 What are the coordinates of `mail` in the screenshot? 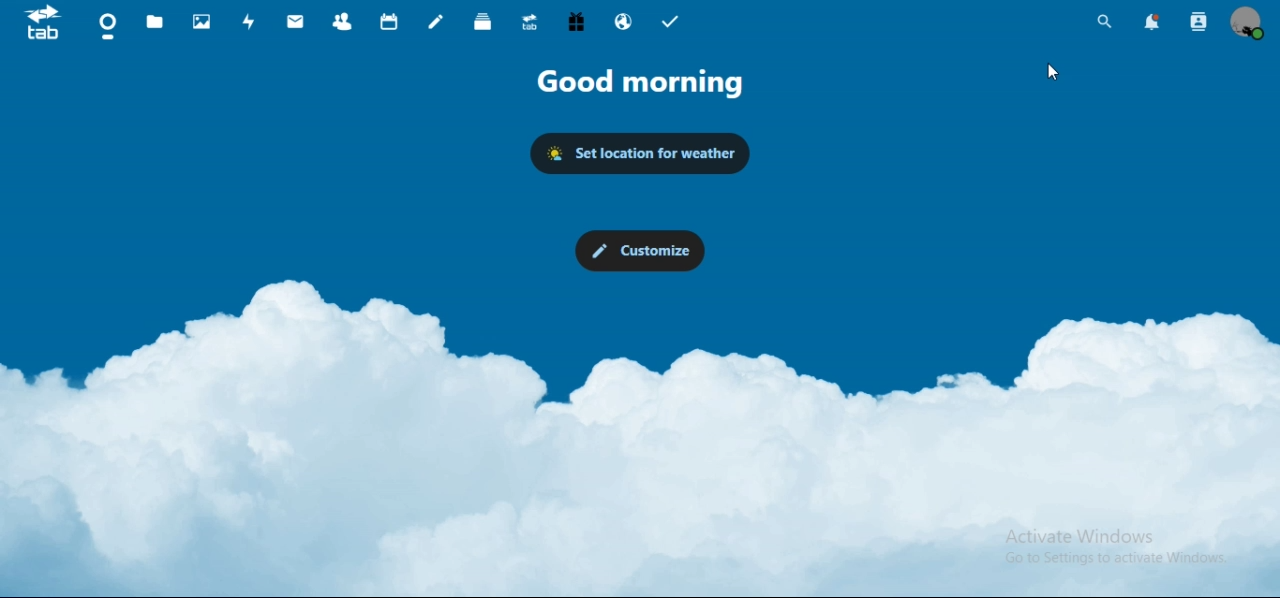 It's located at (296, 21).